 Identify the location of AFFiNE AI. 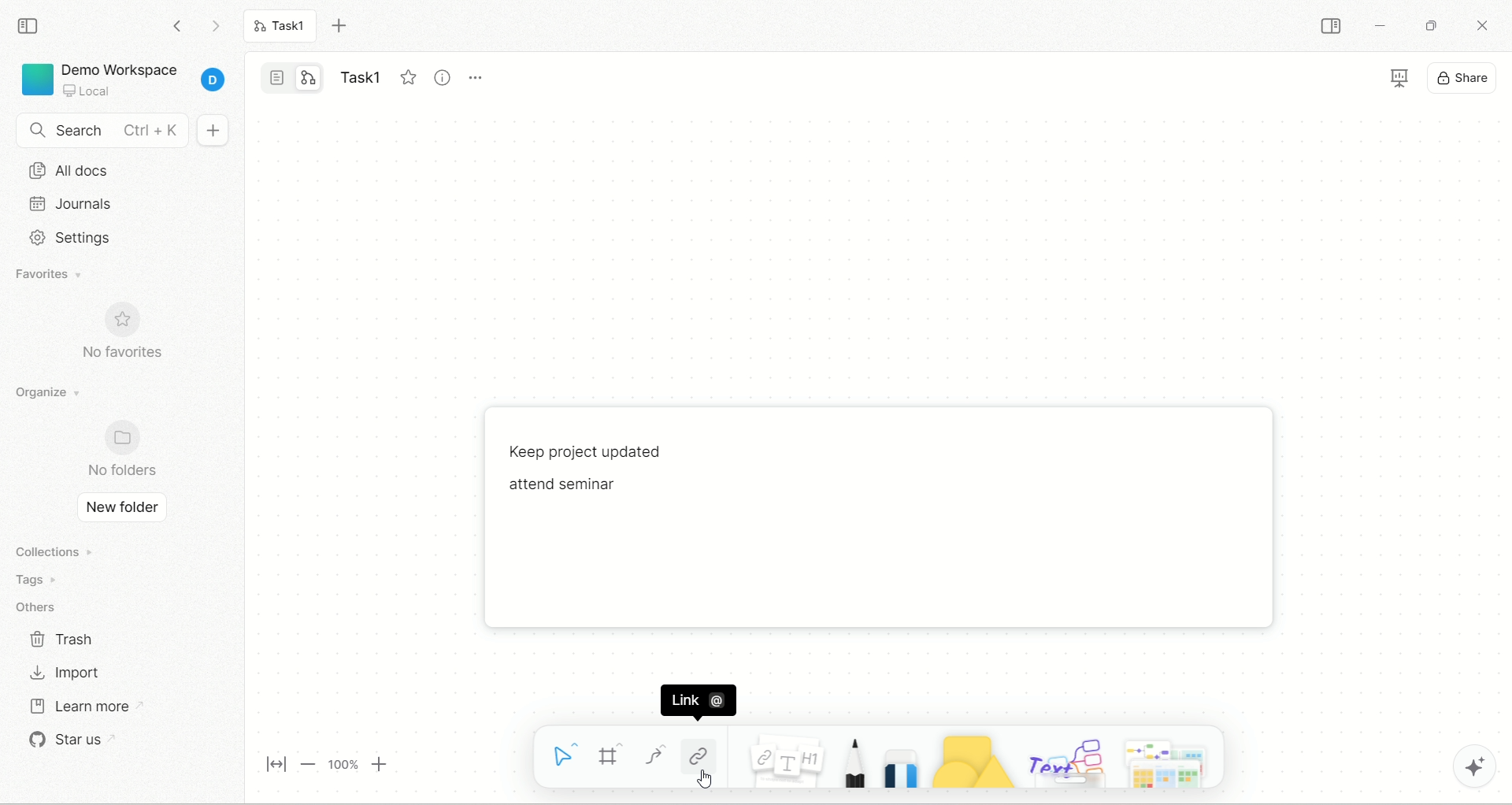
(1477, 763).